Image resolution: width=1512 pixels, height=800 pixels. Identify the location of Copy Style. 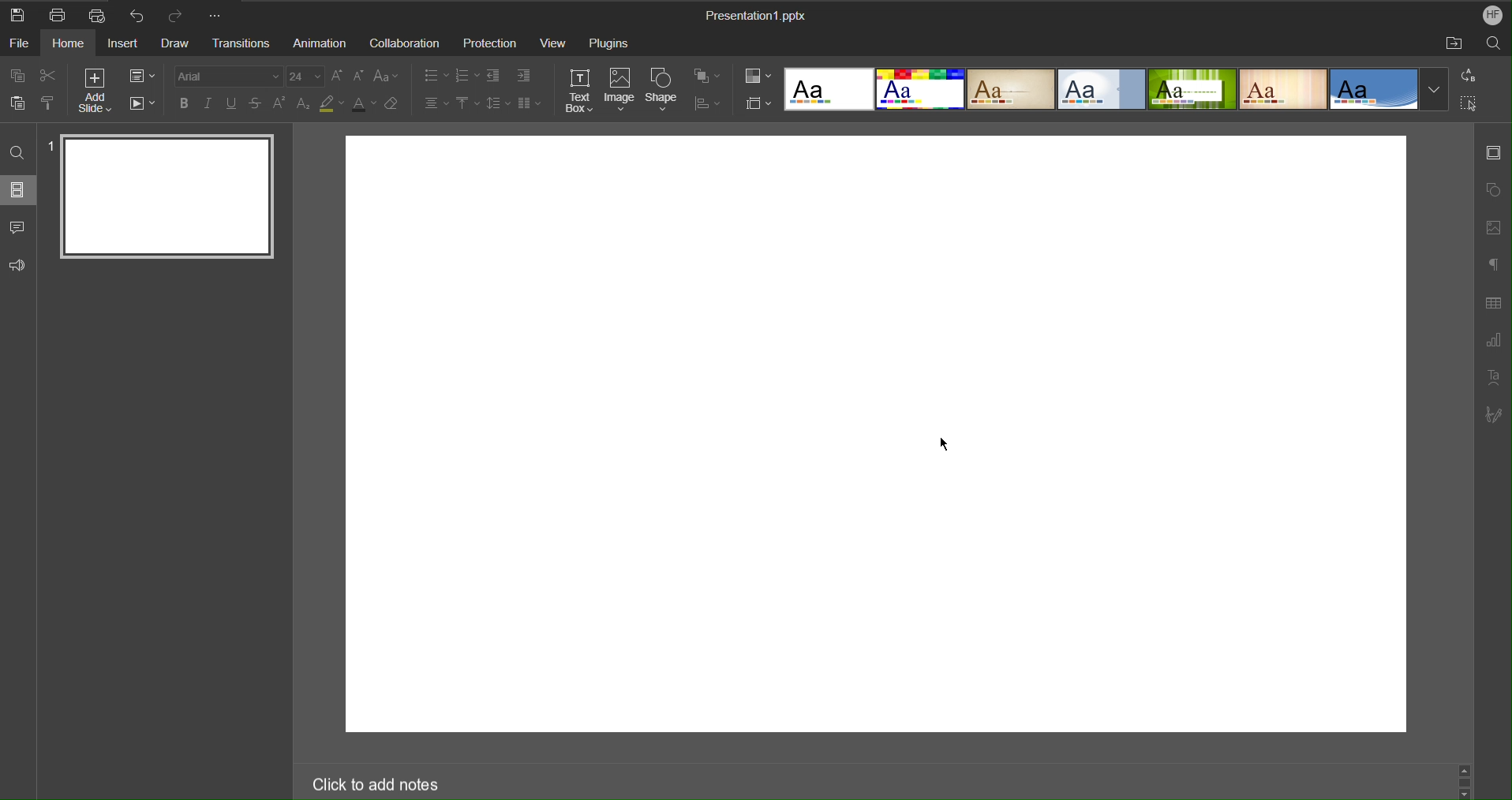
(47, 104).